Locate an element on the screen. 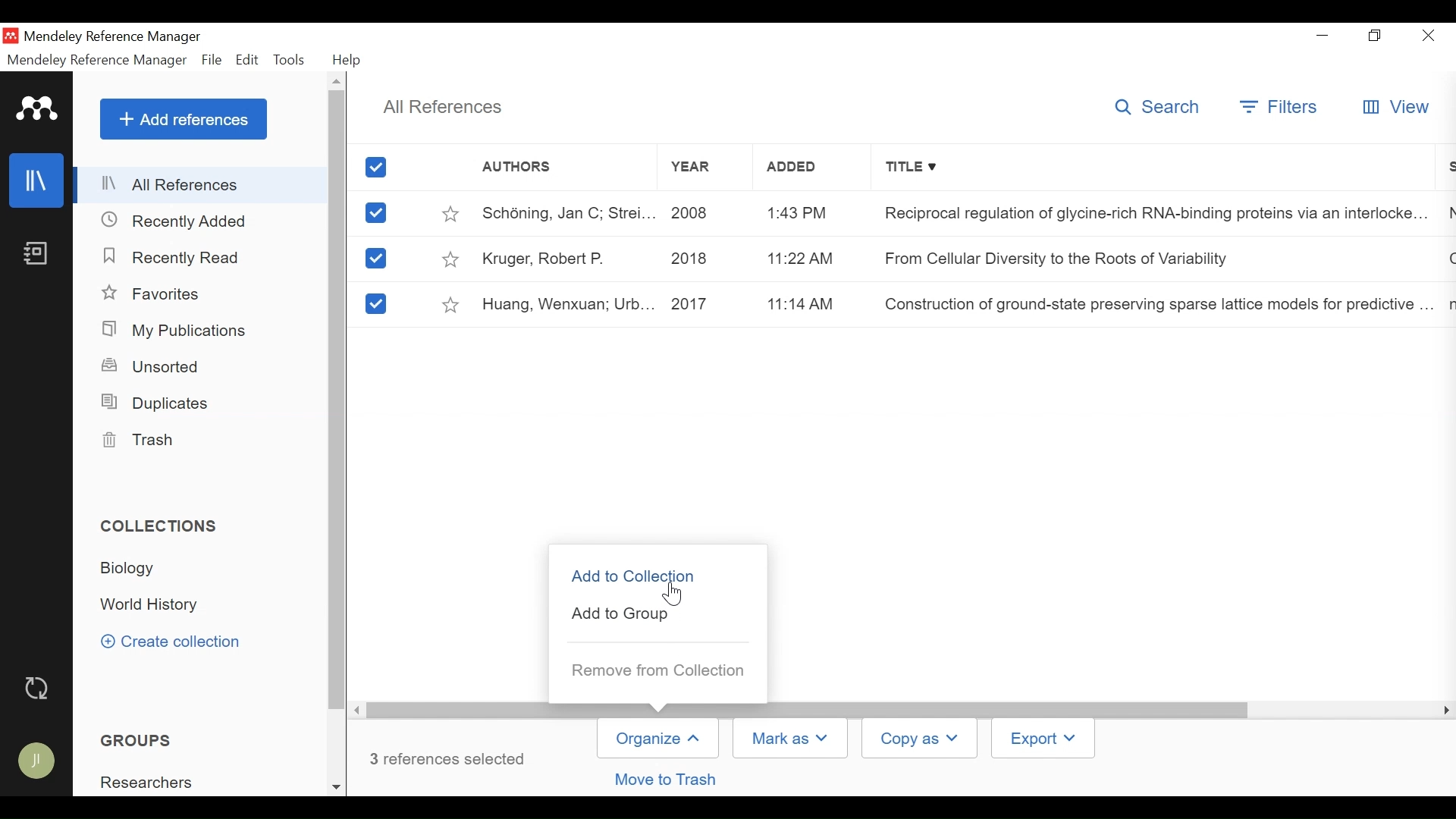 This screenshot has width=1456, height=819. Unsorted is located at coordinates (153, 366).